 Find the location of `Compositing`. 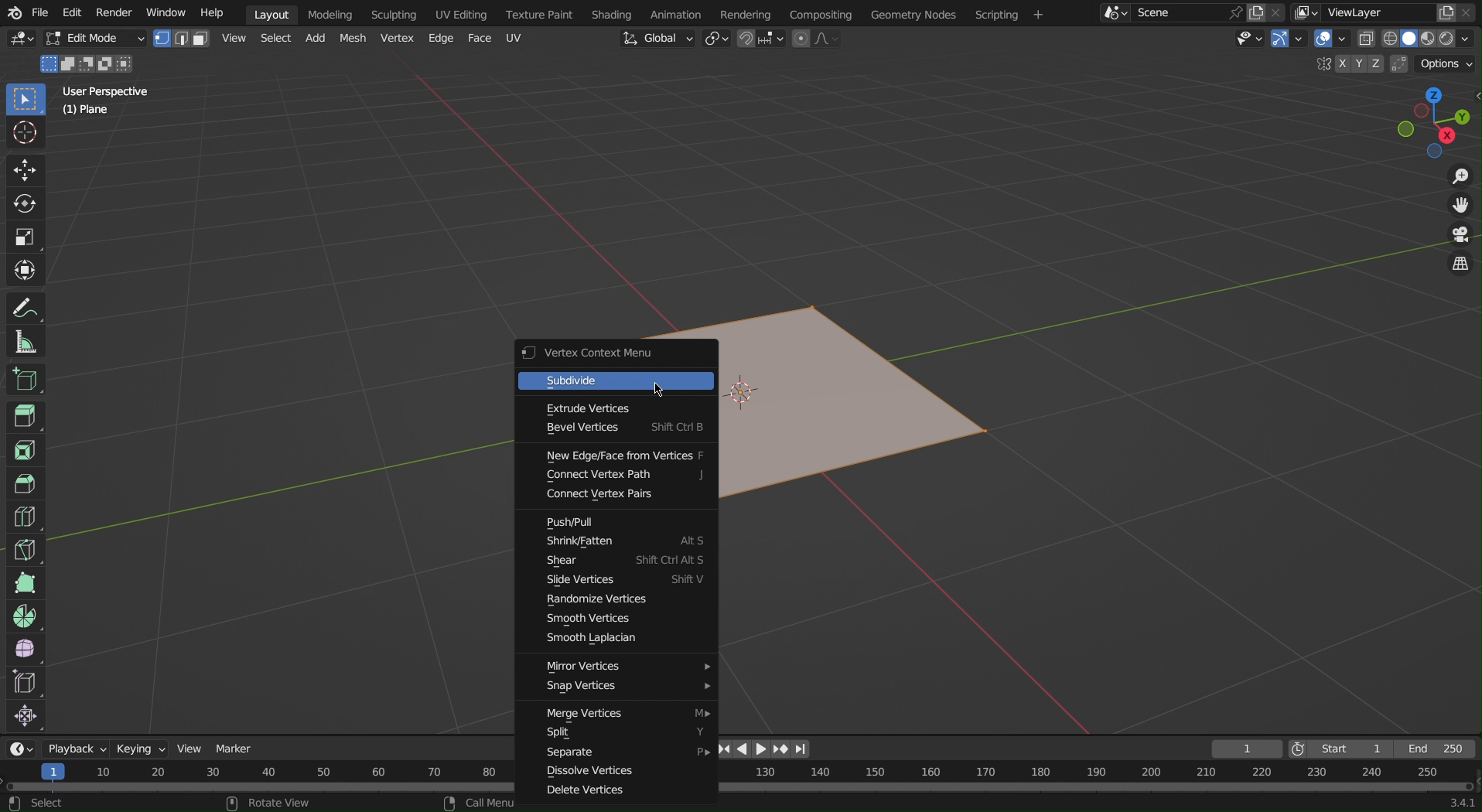

Compositing is located at coordinates (825, 14).